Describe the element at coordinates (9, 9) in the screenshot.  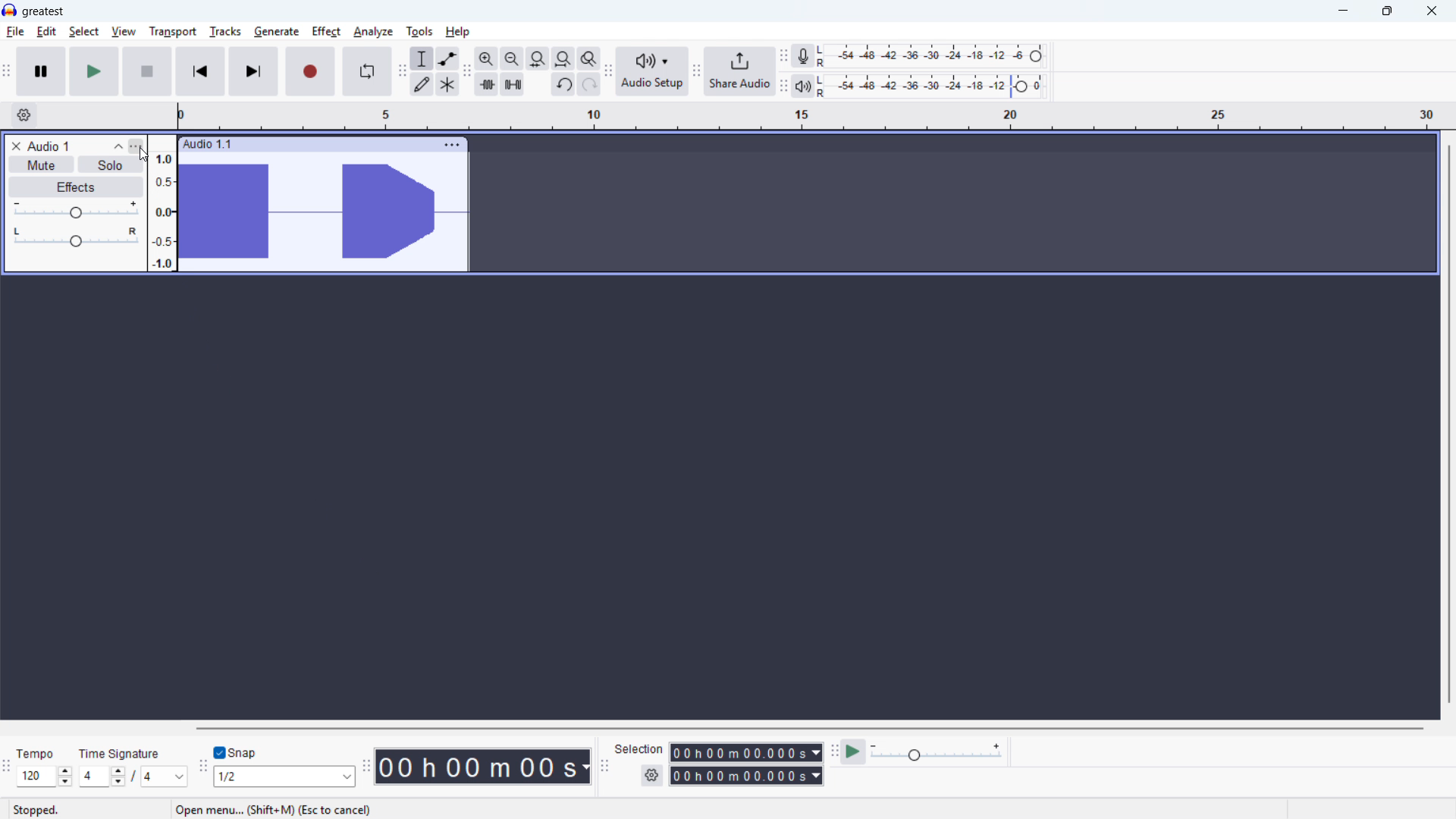
I see `logo` at that location.